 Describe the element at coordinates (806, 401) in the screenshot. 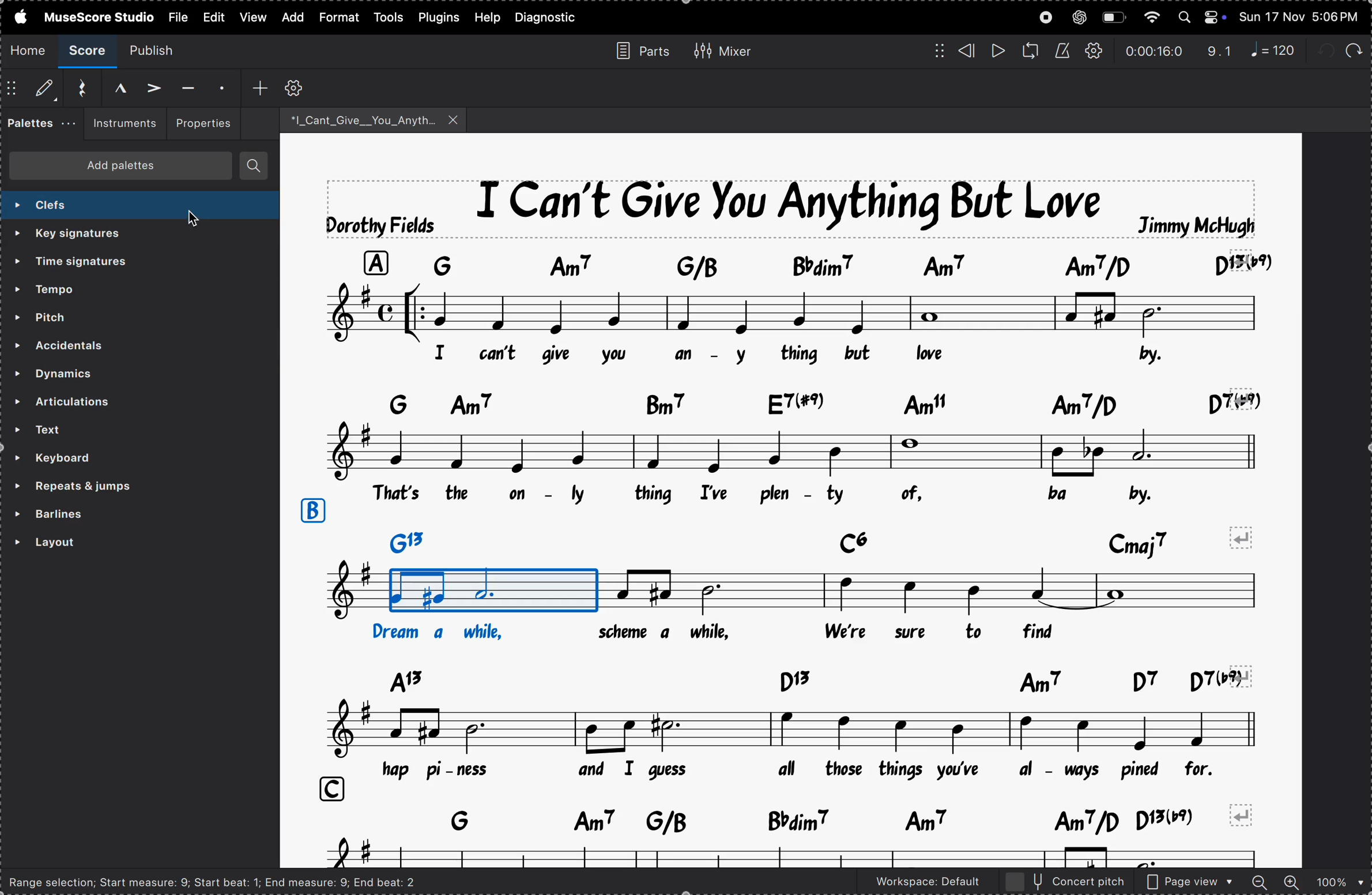

I see `key notes` at that location.